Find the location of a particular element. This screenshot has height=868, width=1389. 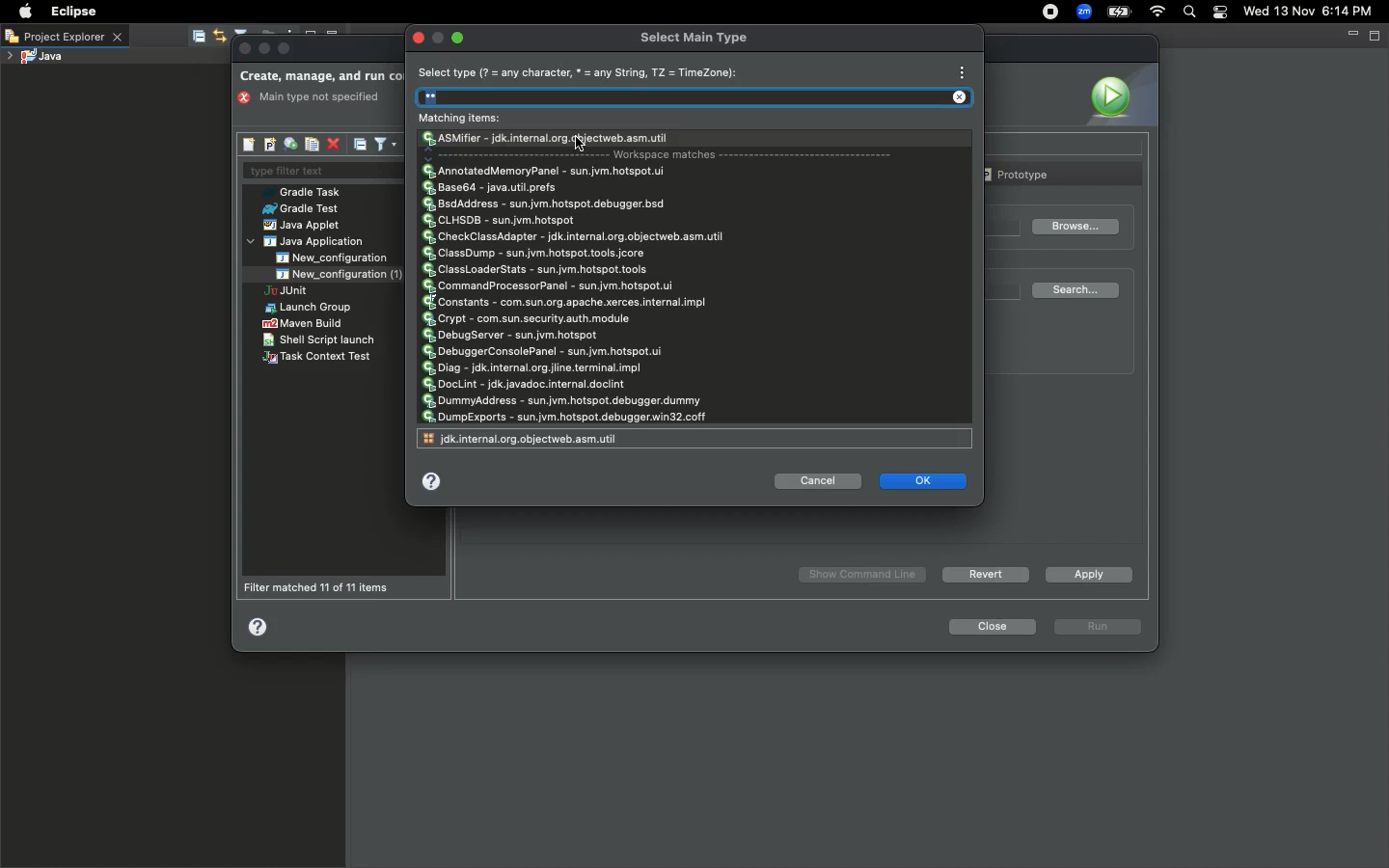

Type filter text is located at coordinates (317, 172).